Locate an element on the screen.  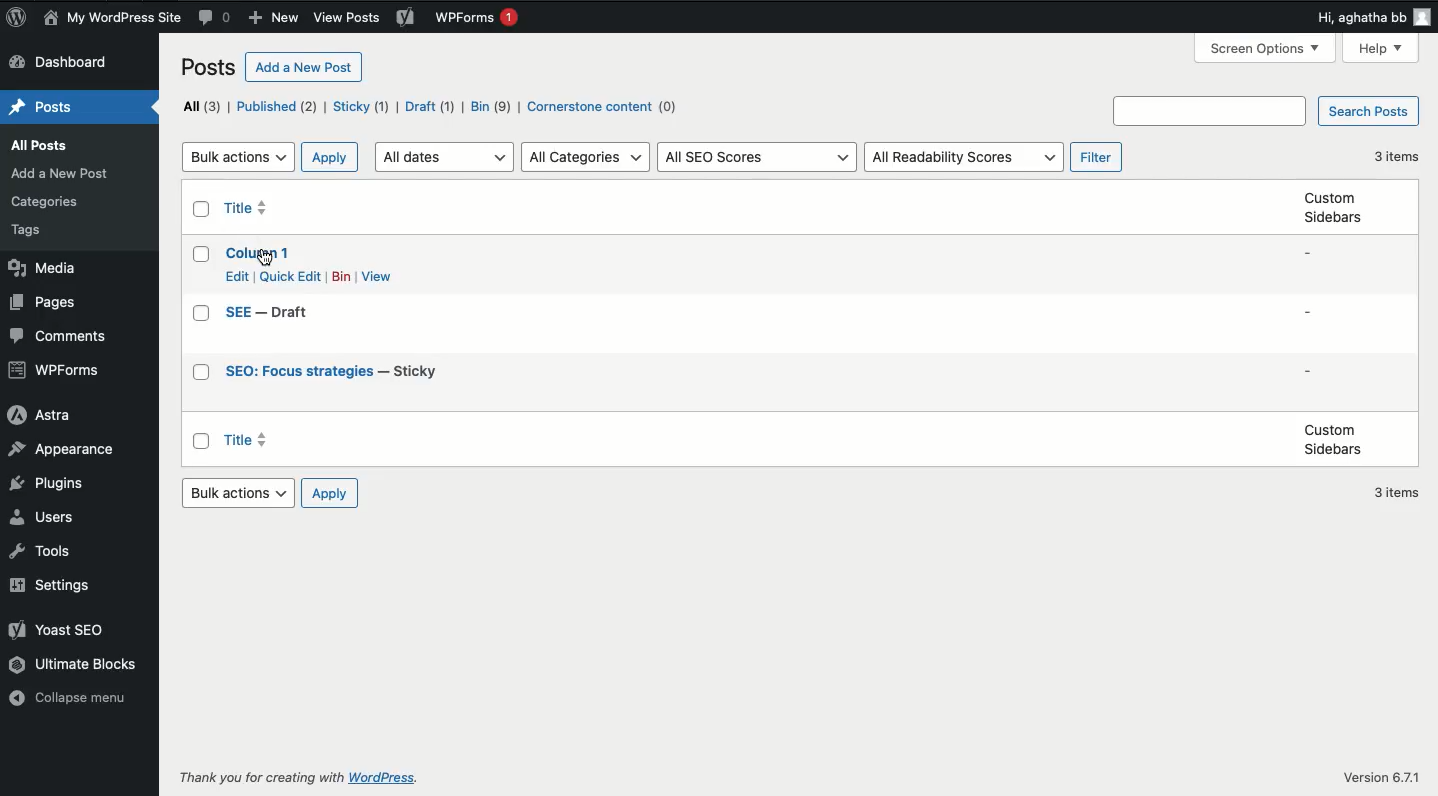
Apply is located at coordinates (332, 492).